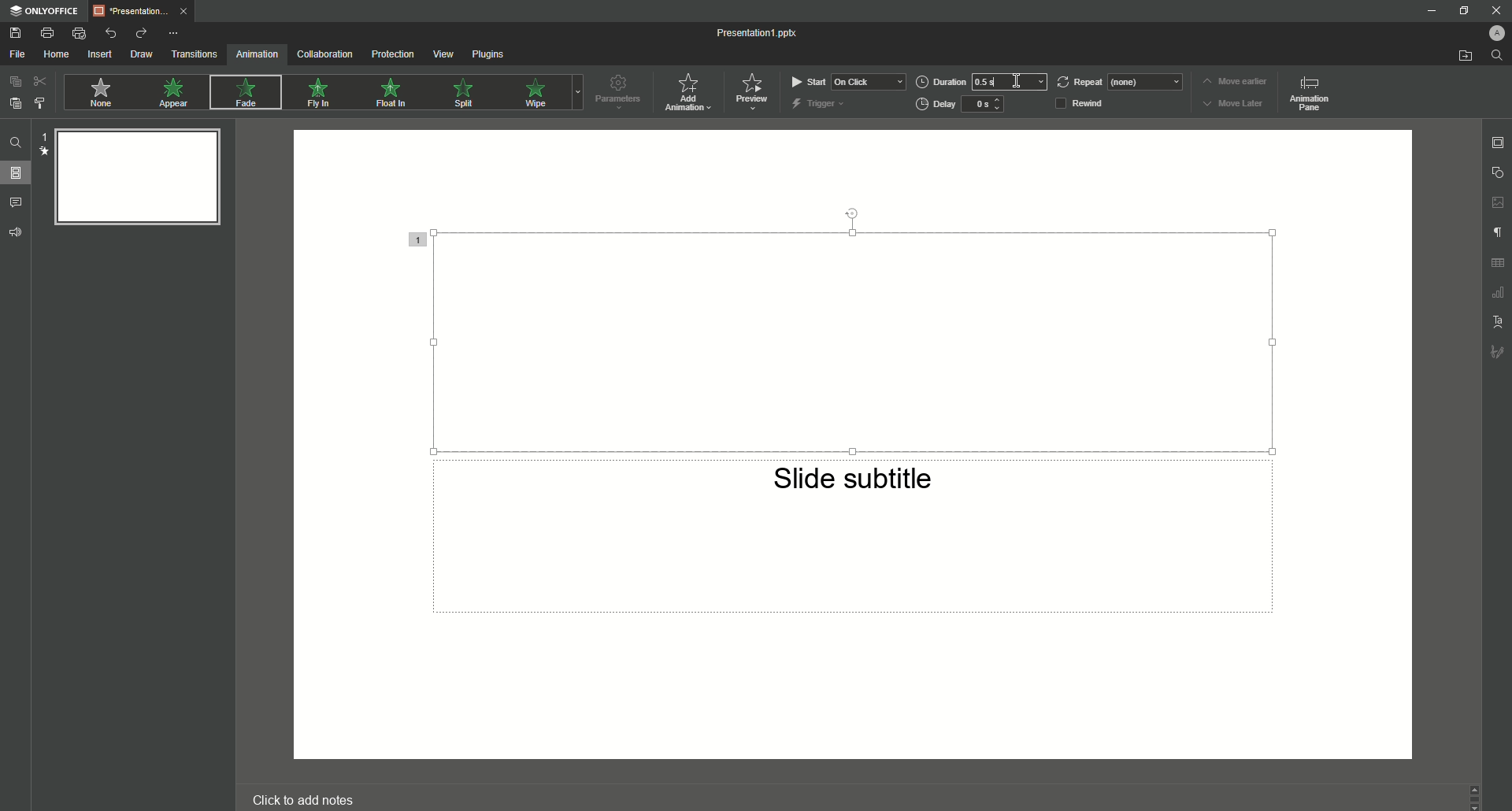 The image size is (1512, 811). Describe the element at coordinates (1463, 55) in the screenshot. I see `Open From File` at that location.